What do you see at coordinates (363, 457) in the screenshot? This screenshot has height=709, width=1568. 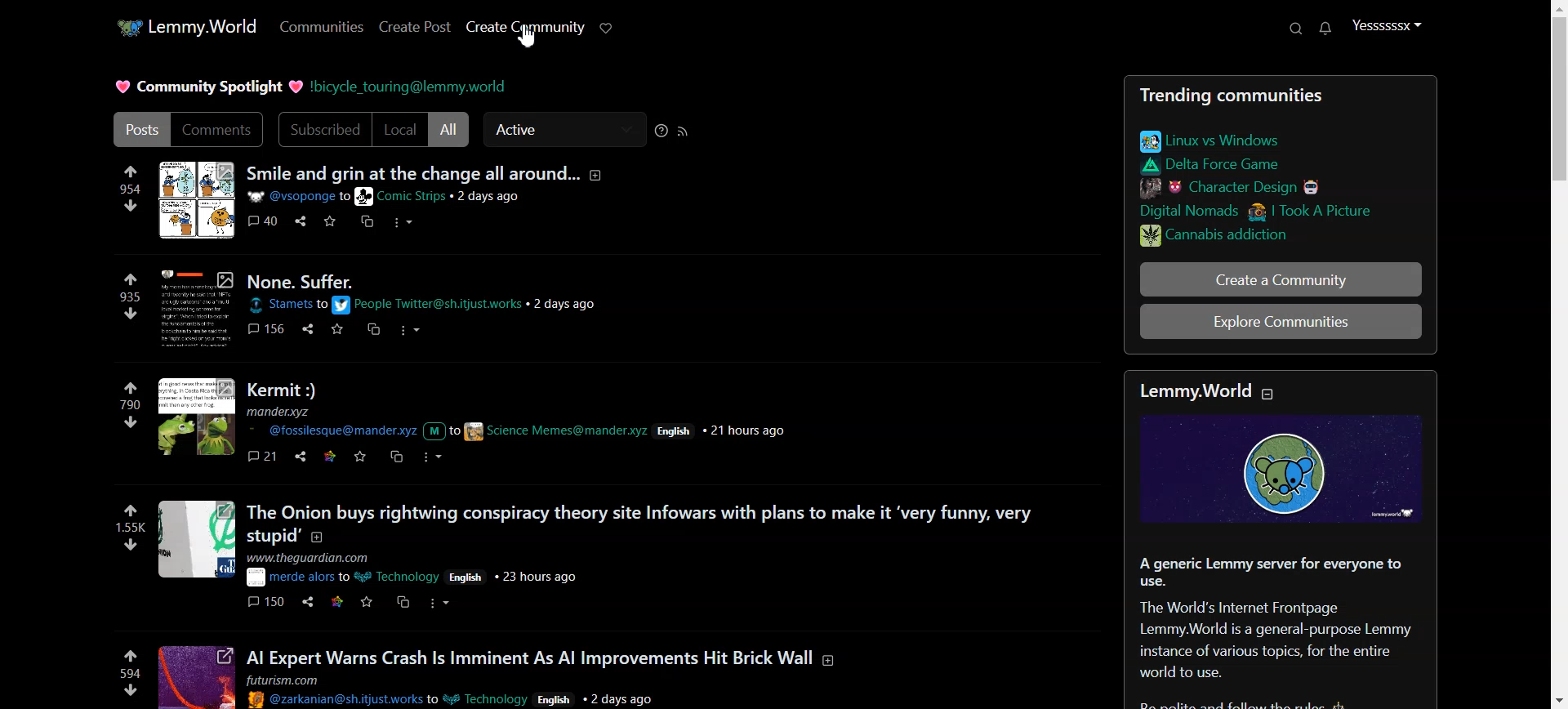 I see `save` at bounding box center [363, 457].